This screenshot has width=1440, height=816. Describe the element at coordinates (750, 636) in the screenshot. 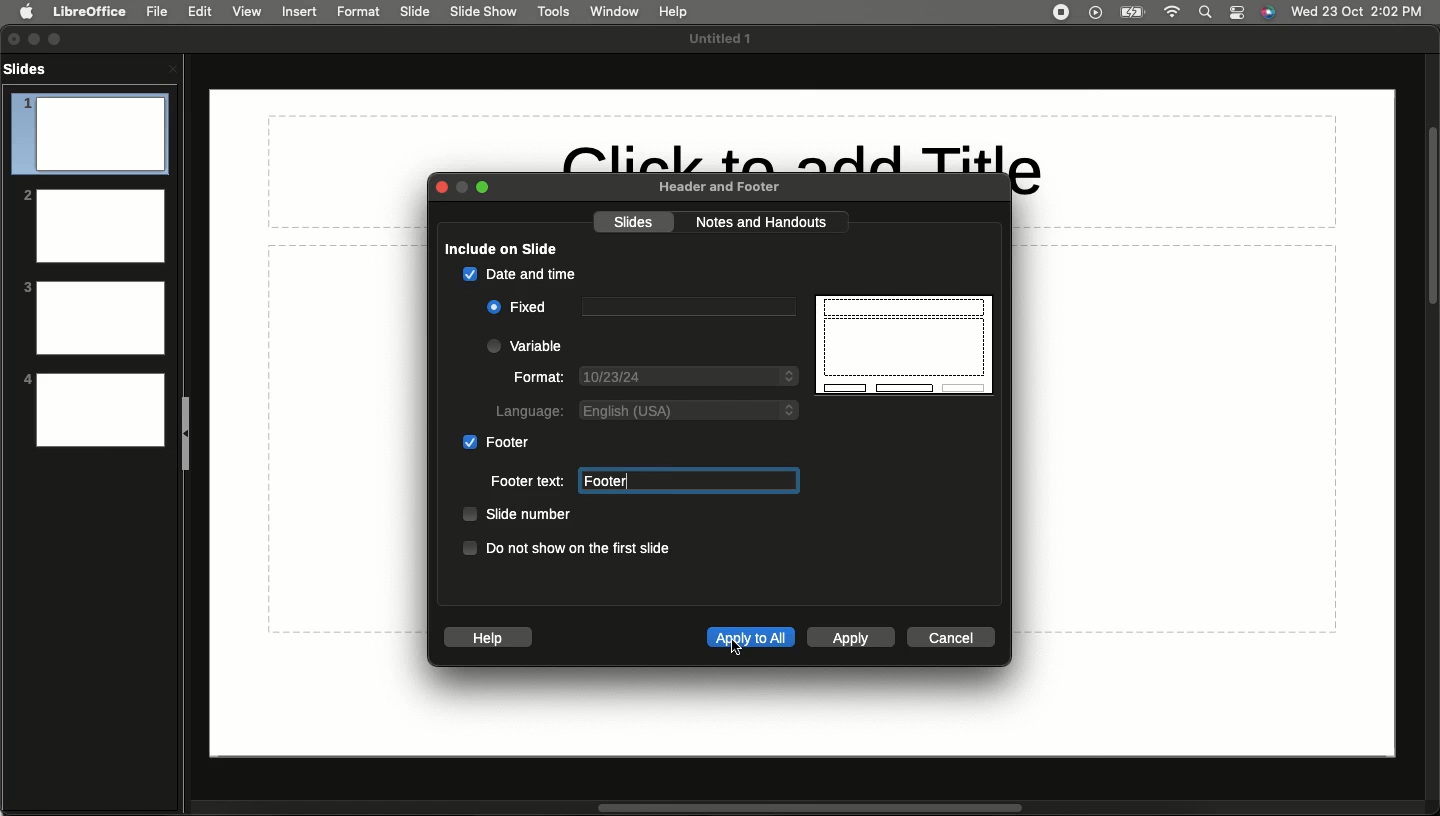

I see `Apply to all` at that location.